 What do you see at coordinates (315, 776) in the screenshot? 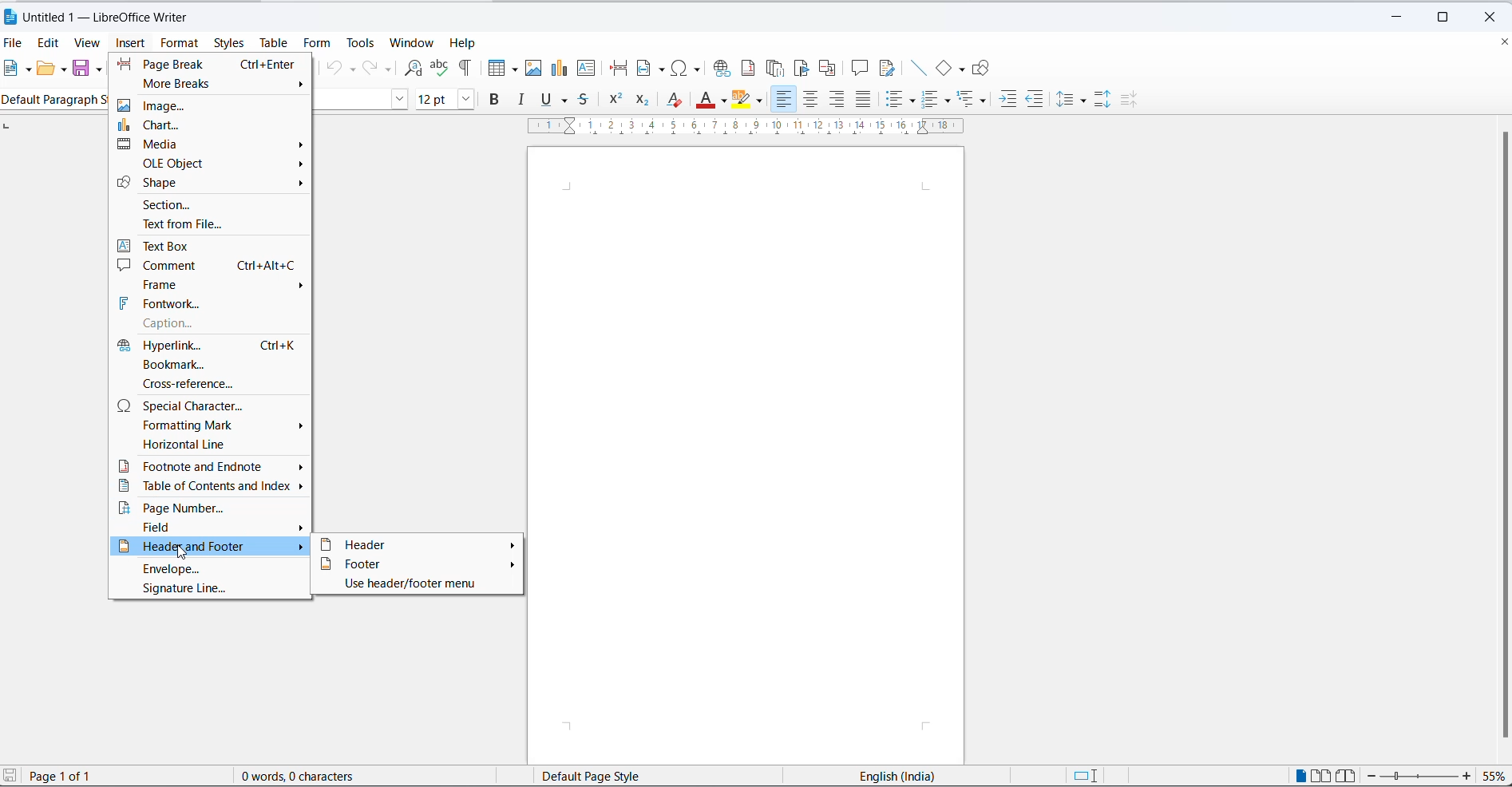
I see `0 words, 0 characters` at bounding box center [315, 776].